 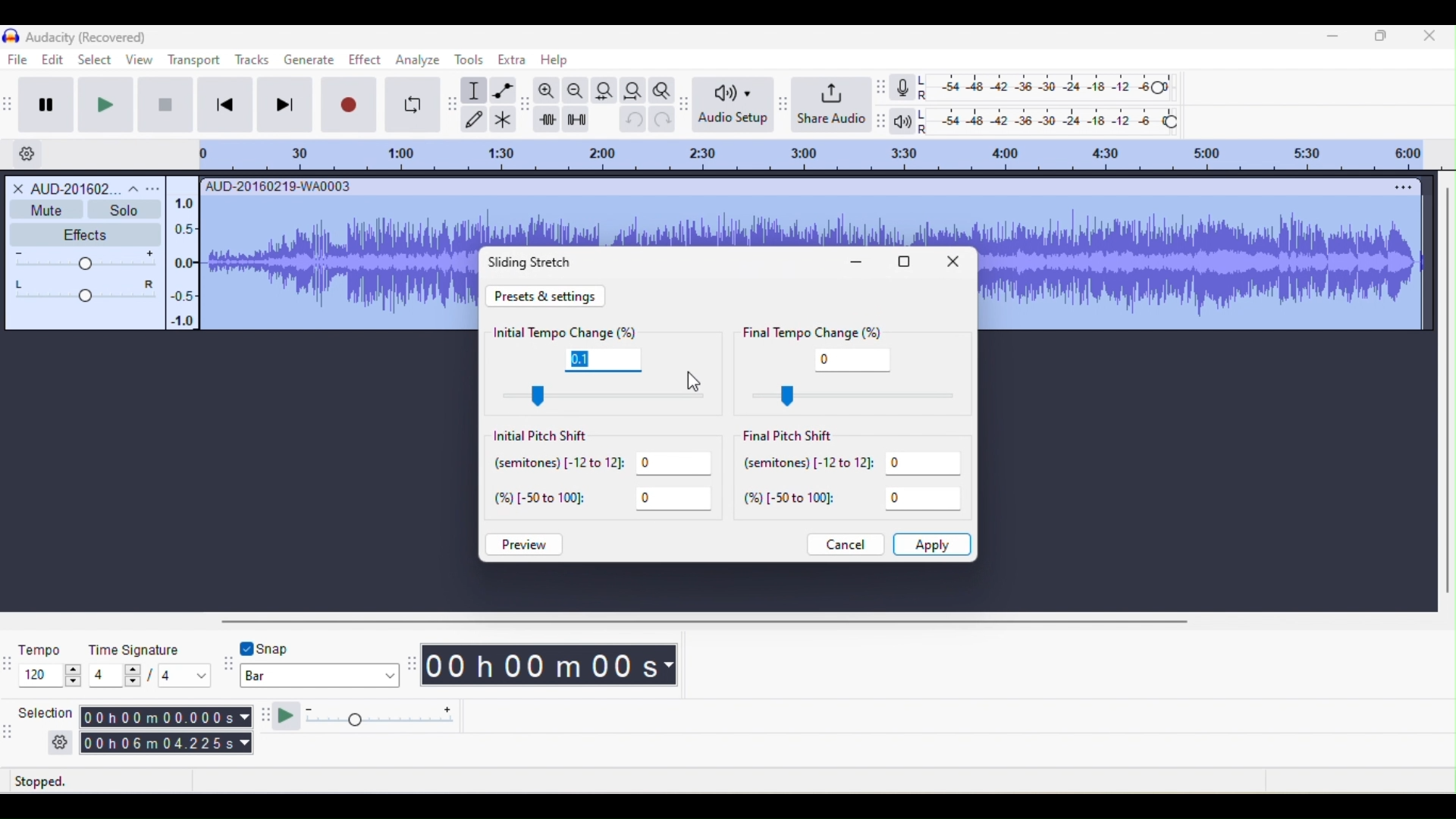 What do you see at coordinates (281, 185) in the screenshot?
I see `AUD-20160219-WA0003` at bounding box center [281, 185].